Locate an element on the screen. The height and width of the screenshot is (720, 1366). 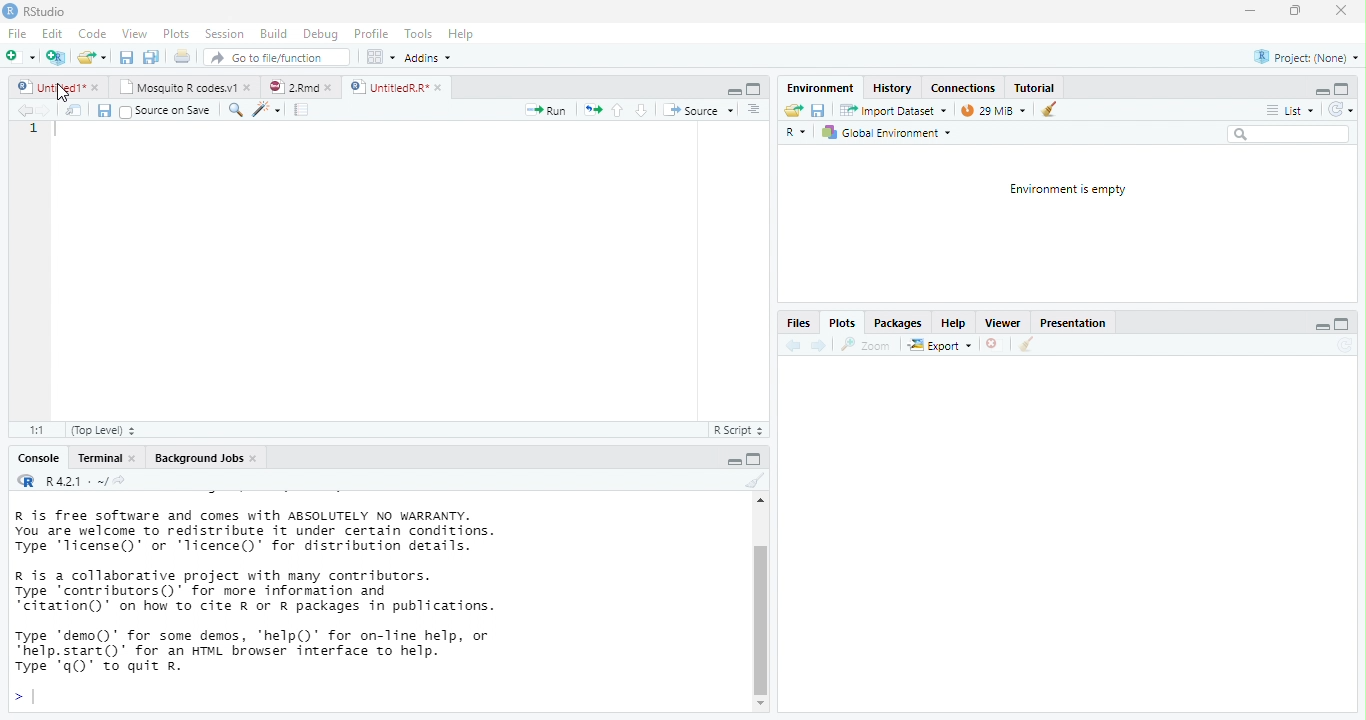
minimize is located at coordinates (1319, 93).